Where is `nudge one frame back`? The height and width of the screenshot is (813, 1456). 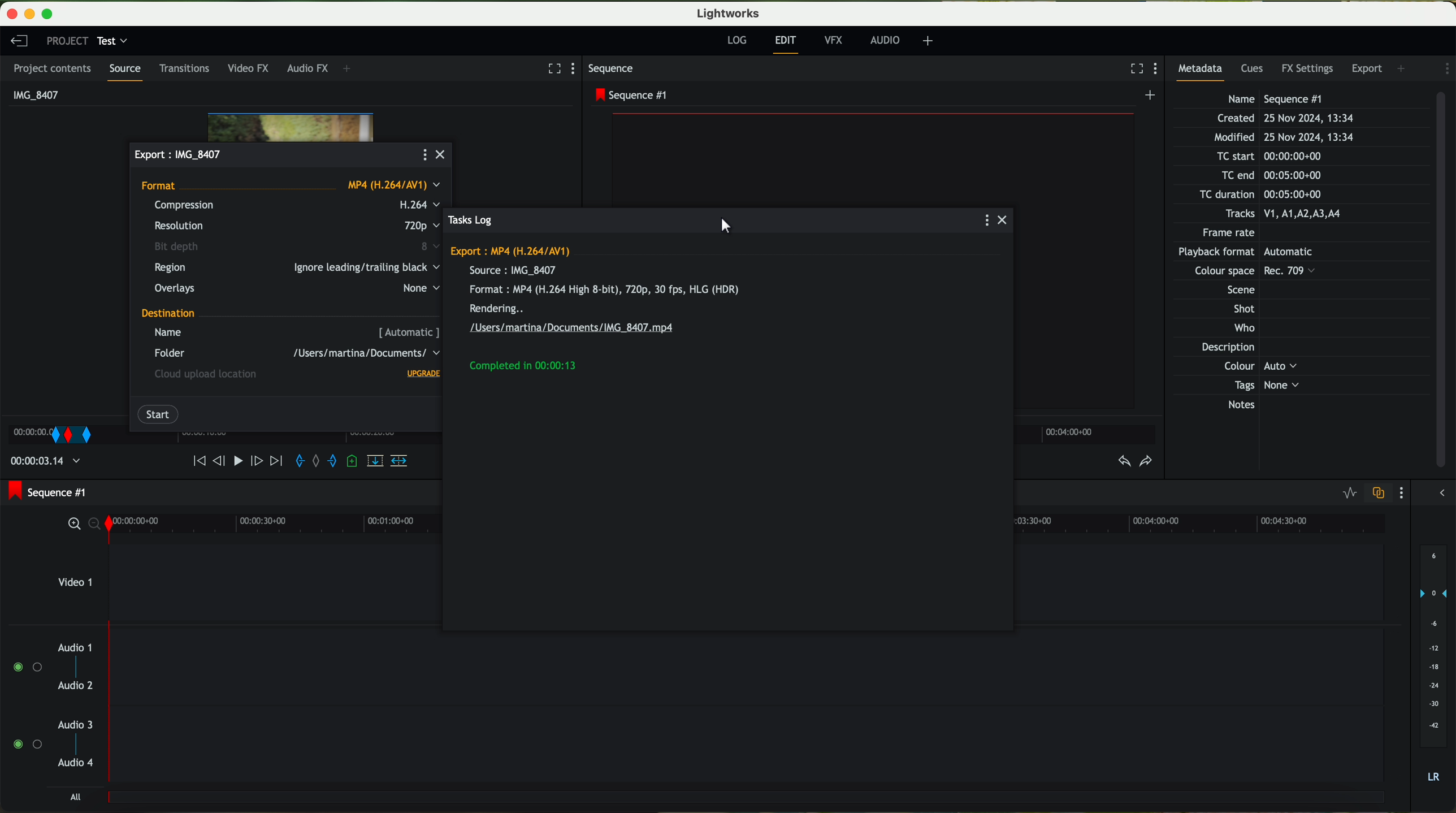
nudge one frame back is located at coordinates (794, 464).